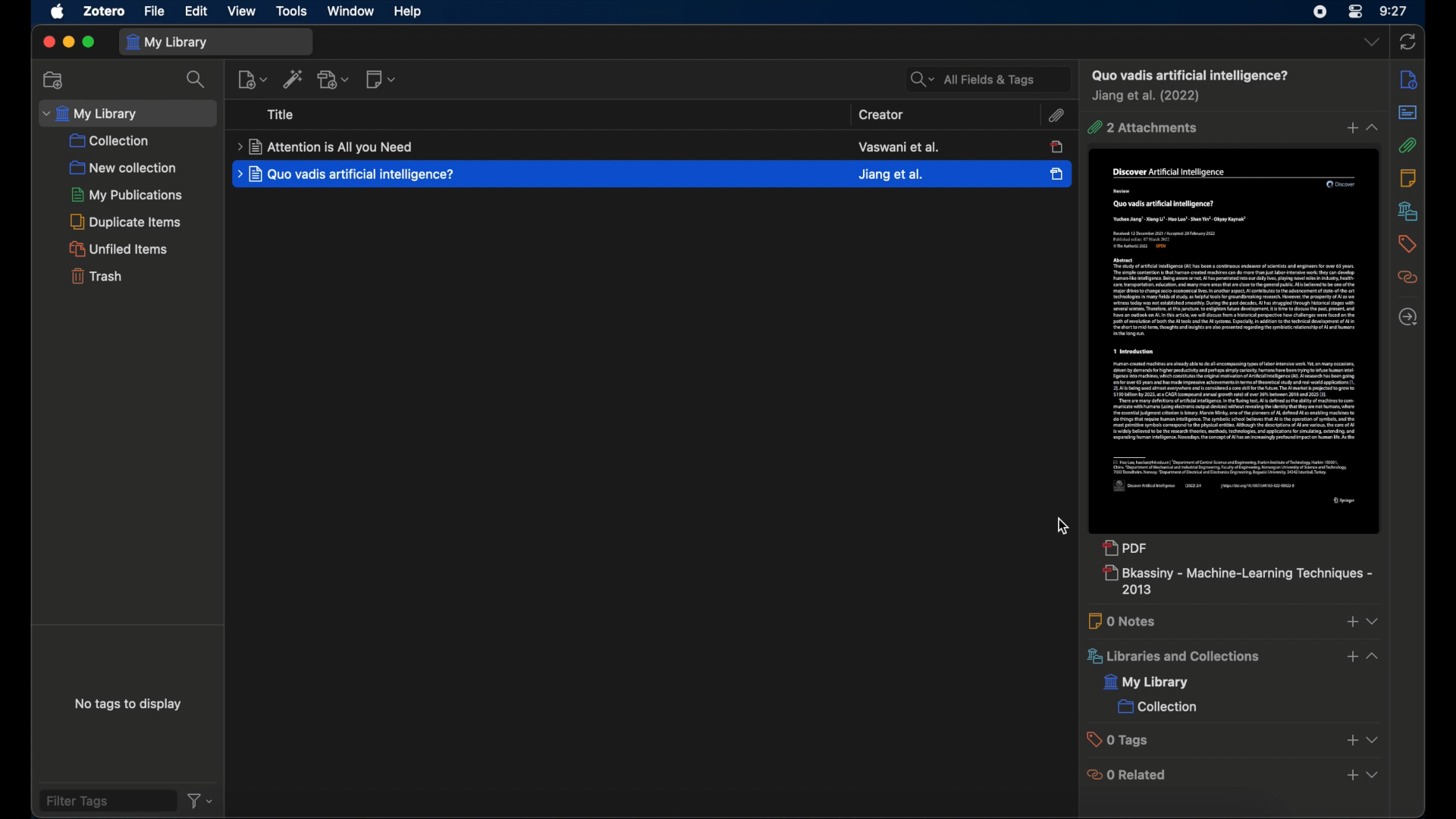 This screenshot has width=1456, height=819. I want to click on my library dropdown, so click(128, 113).